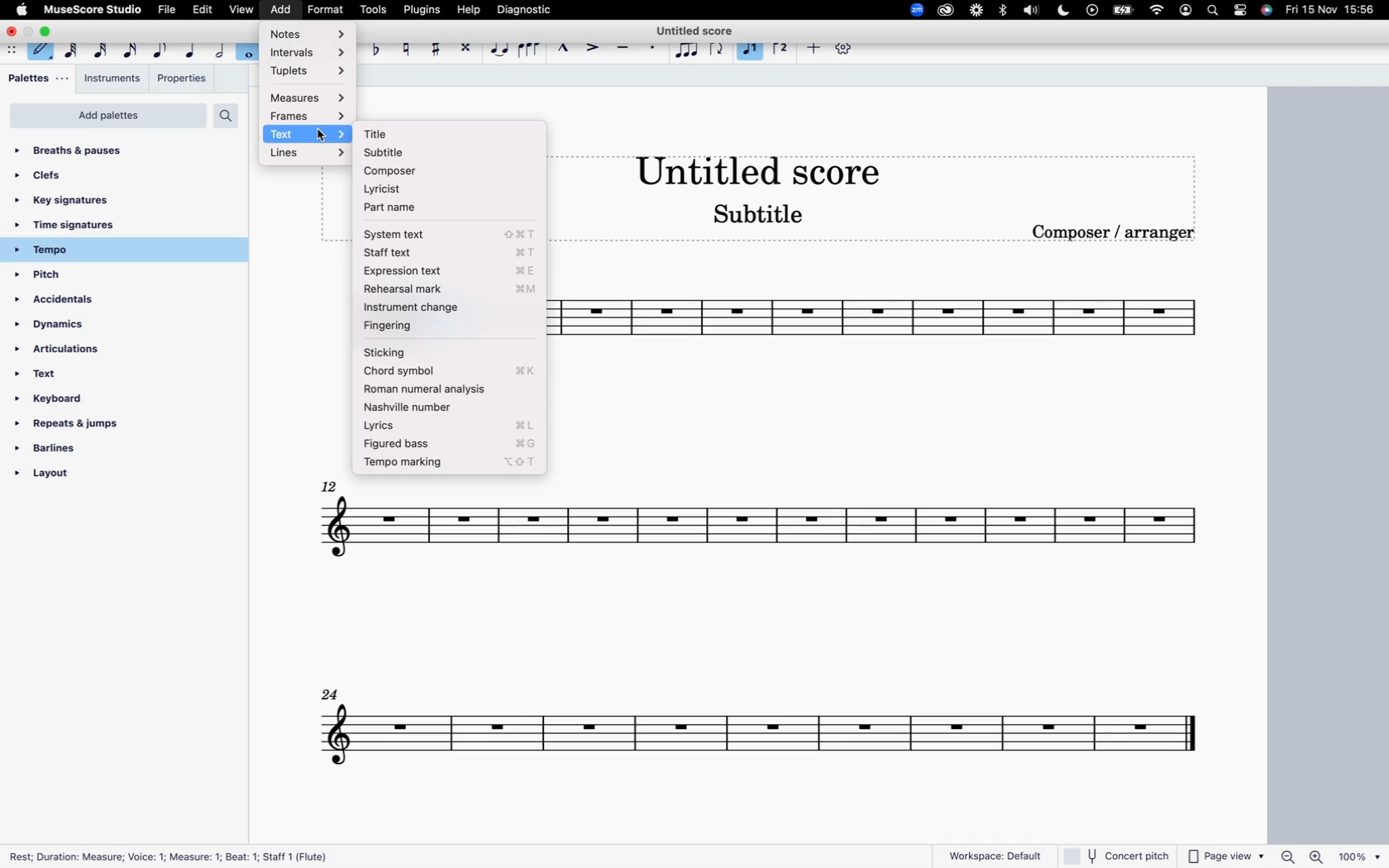  Describe the element at coordinates (563, 49) in the screenshot. I see `marcato` at that location.